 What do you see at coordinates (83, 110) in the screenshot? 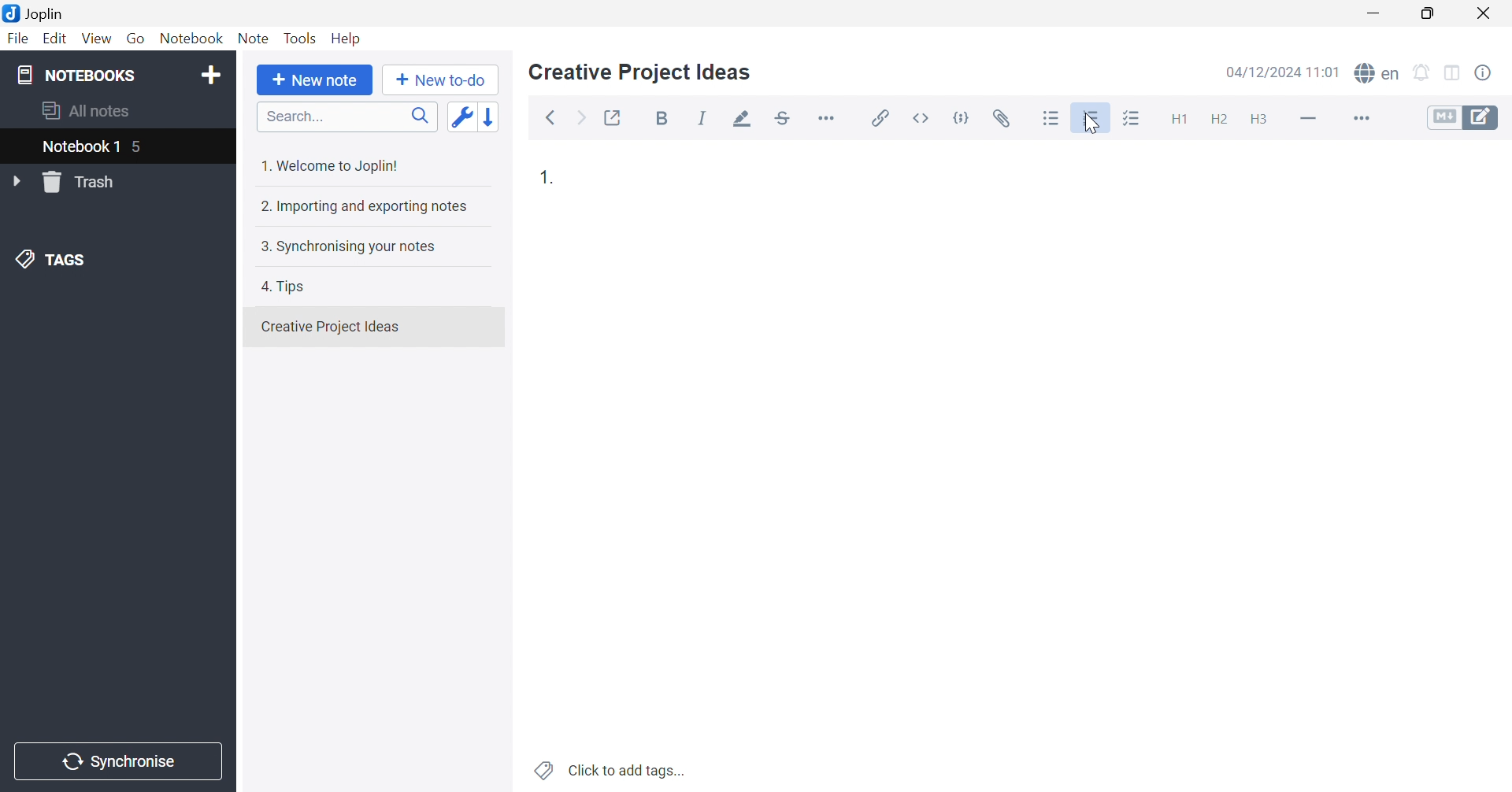
I see `All notes` at bounding box center [83, 110].